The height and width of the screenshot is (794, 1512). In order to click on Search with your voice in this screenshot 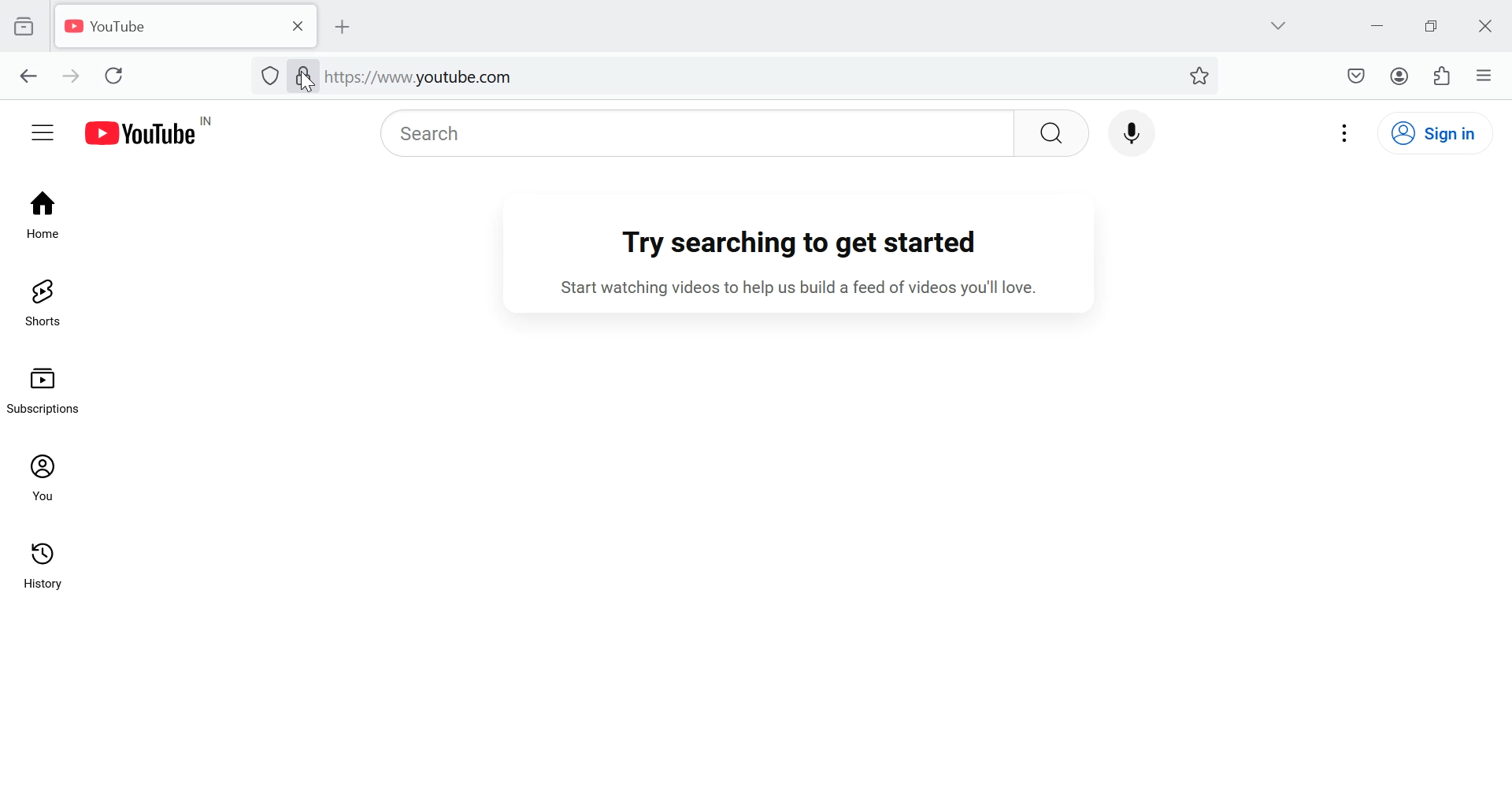, I will do `click(1129, 130)`.